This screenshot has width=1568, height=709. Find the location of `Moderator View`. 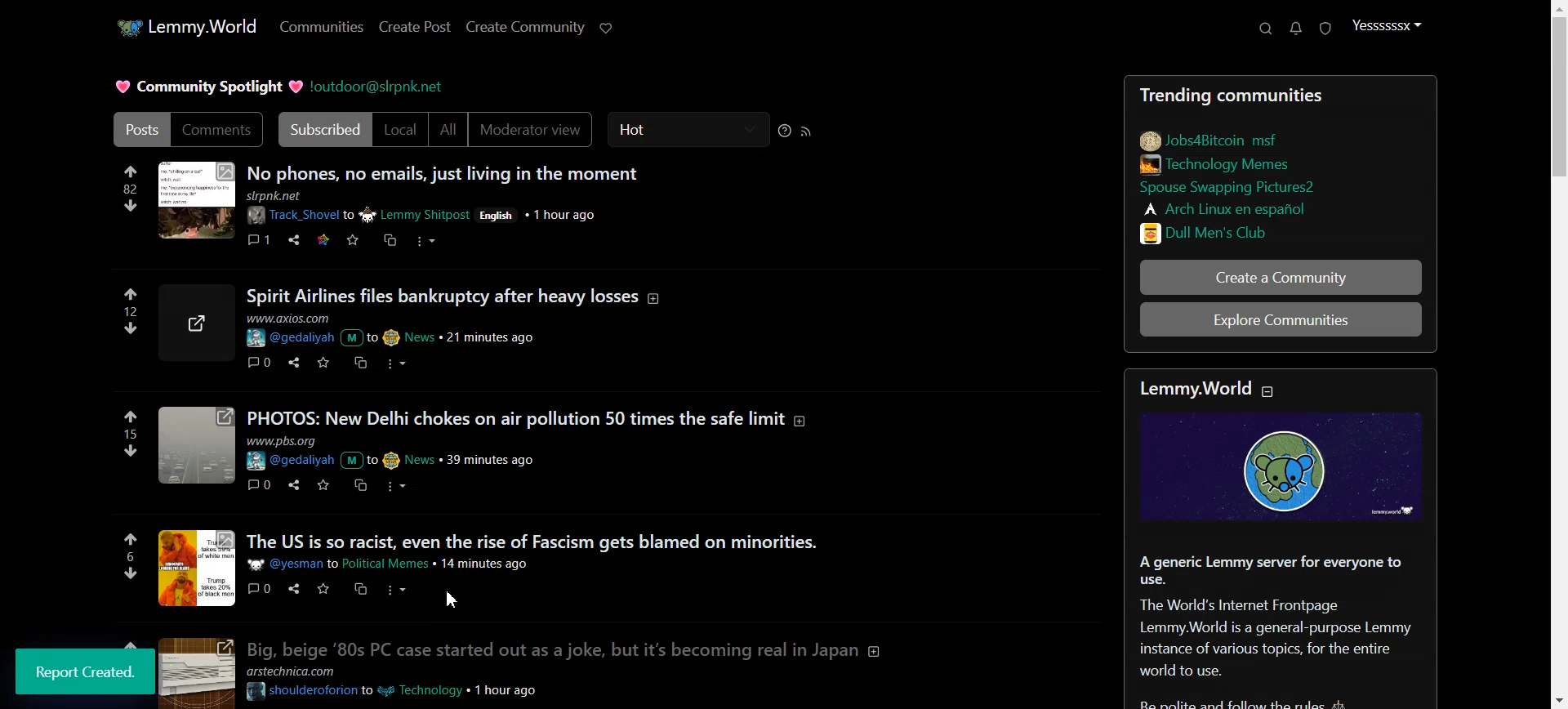

Moderator View is located at coordinates (534, 130).